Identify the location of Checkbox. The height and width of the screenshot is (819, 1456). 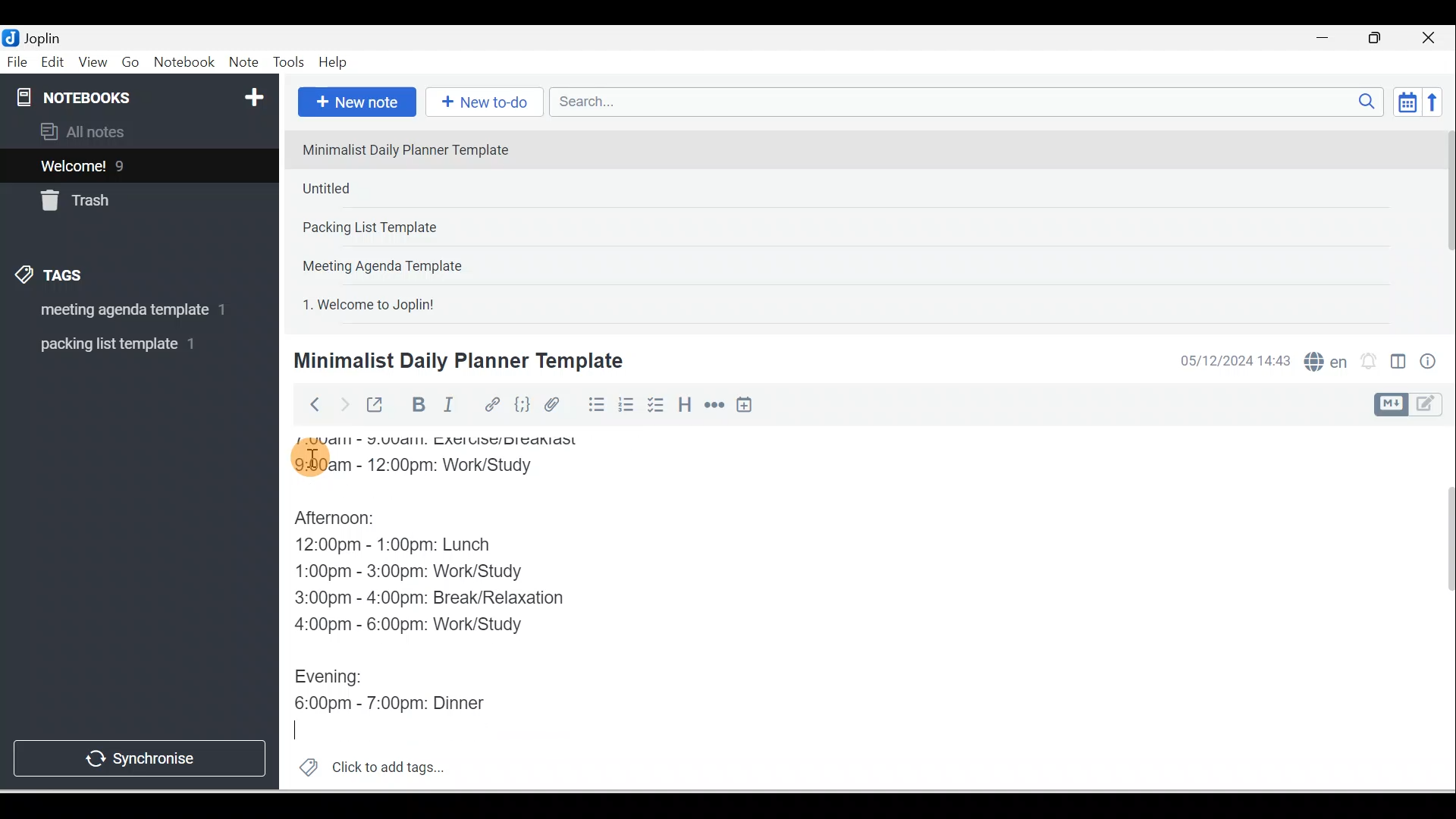
(654, 405).